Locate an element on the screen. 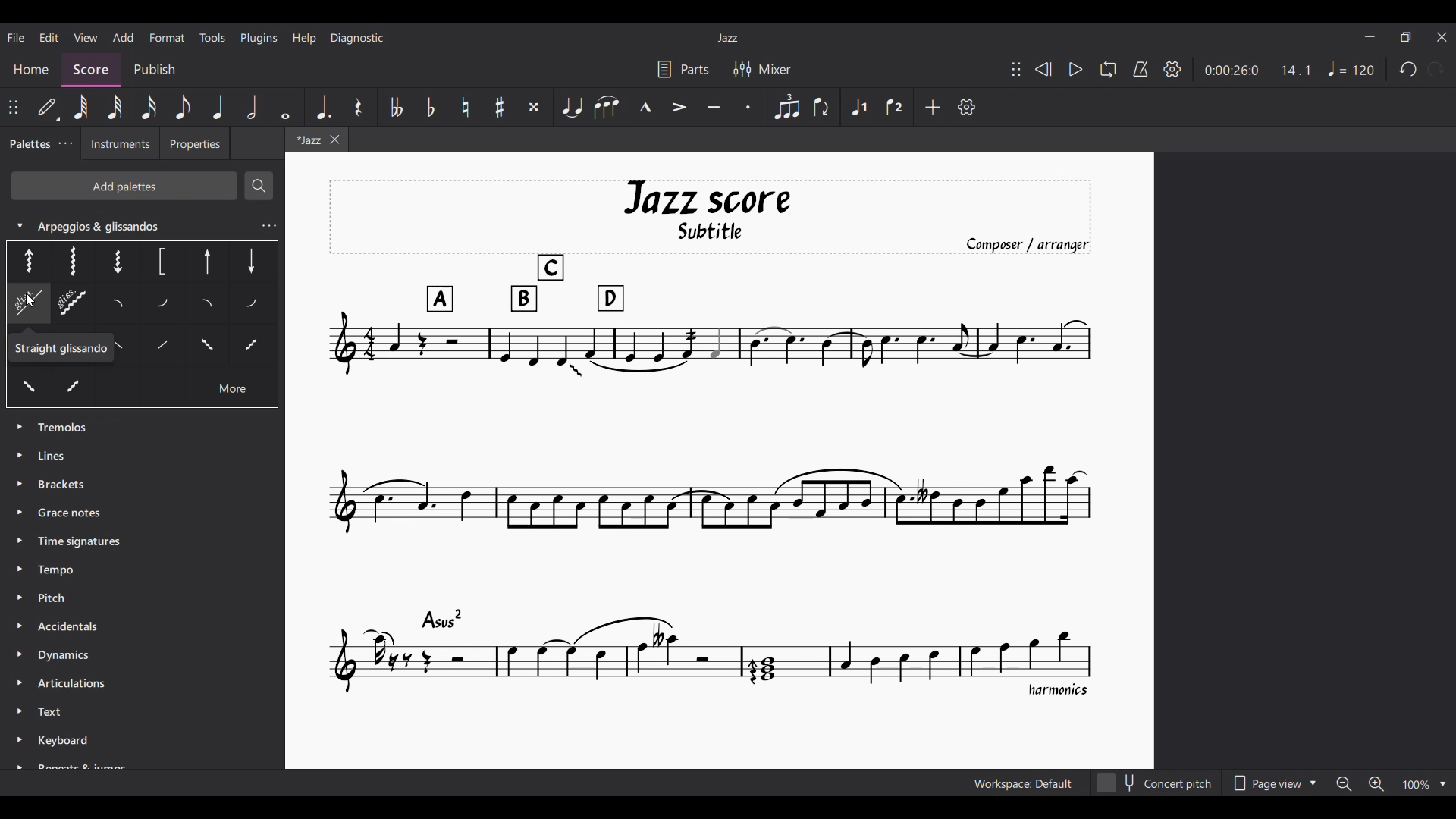 This screenshot has height=819, width=1456. Customization settings is located at coordinates (967, 107).